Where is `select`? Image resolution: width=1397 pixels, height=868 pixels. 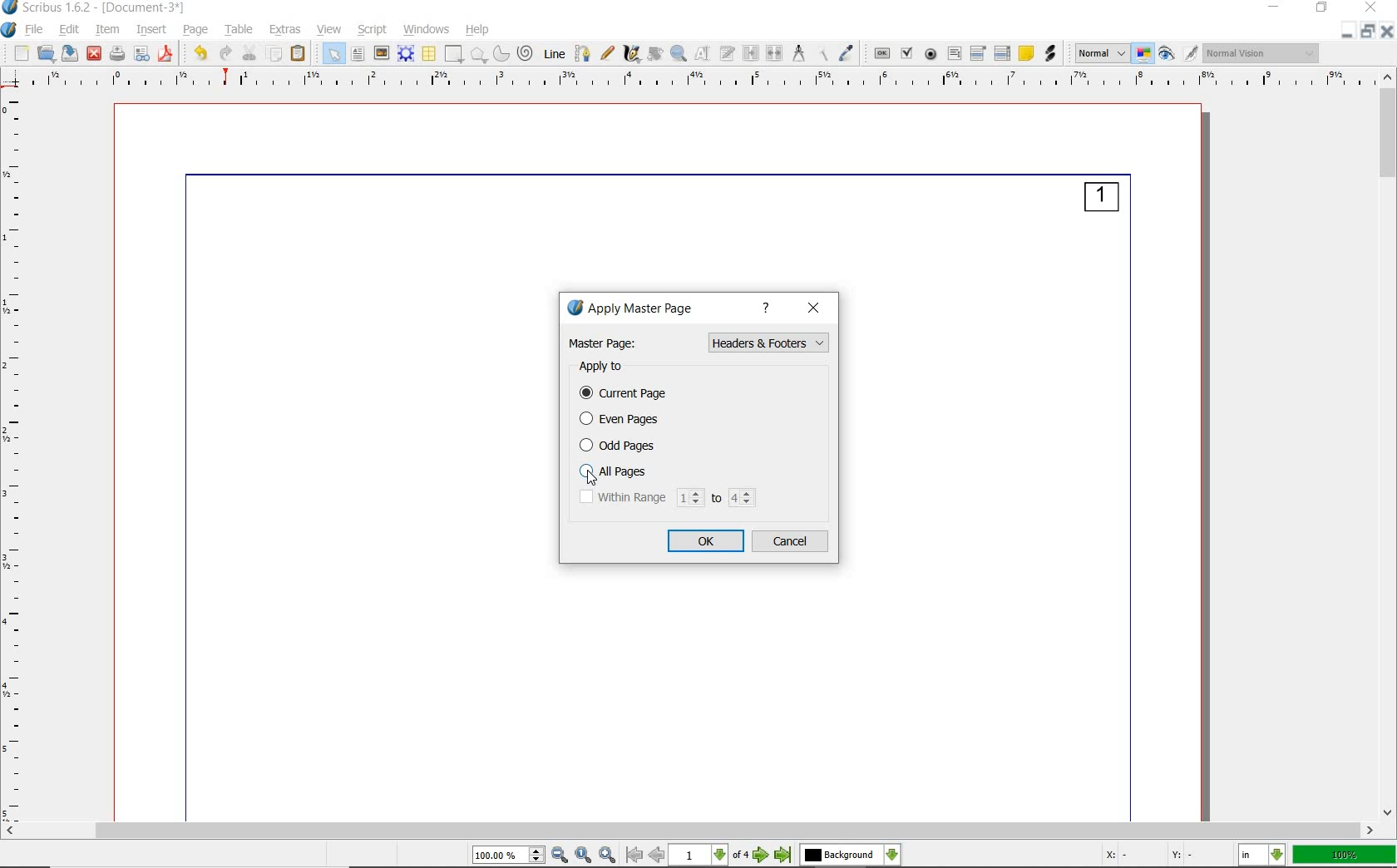 select is located at coordinates (336, 53).